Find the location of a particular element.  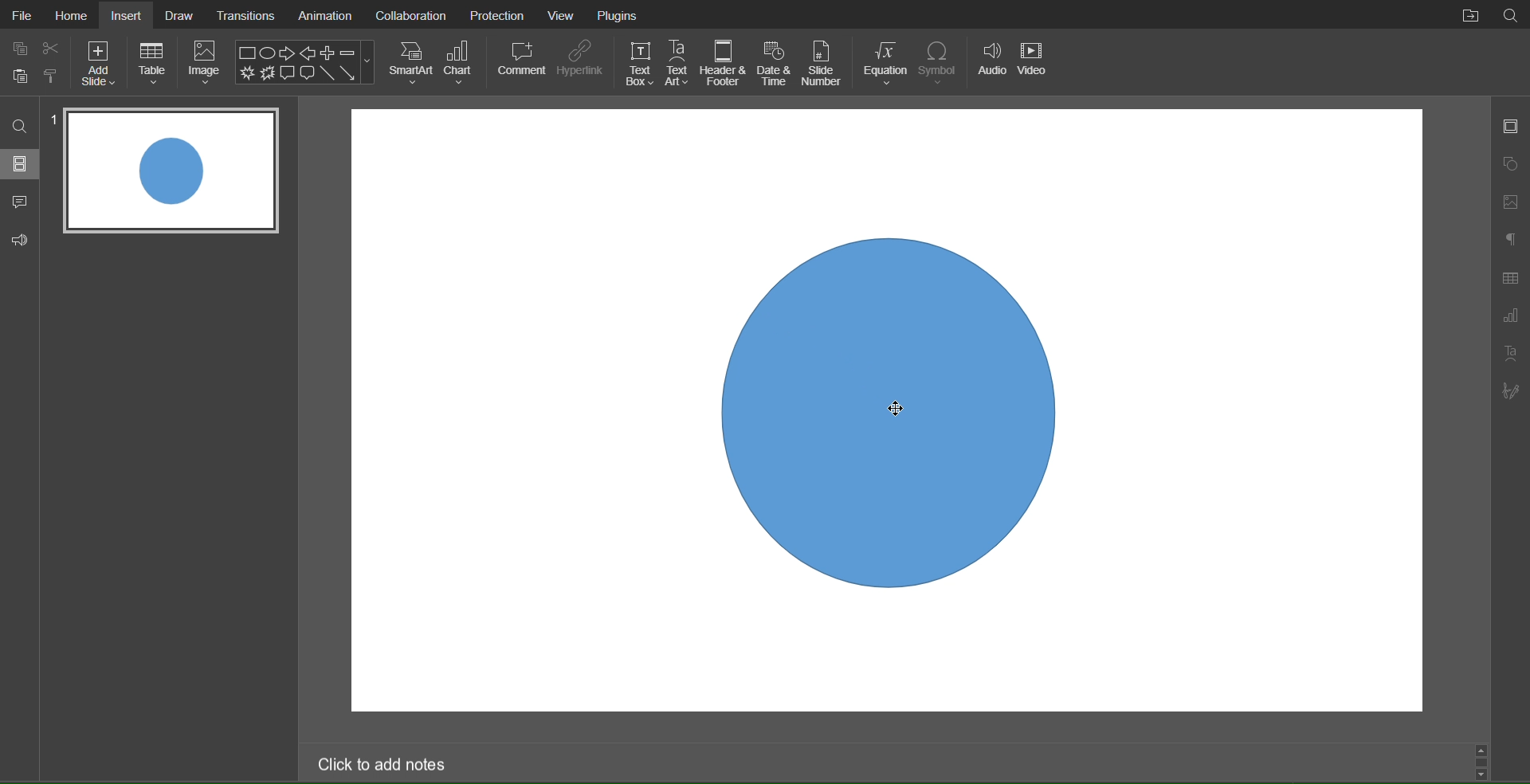

Slide Number is located at coordinates (824, 63).